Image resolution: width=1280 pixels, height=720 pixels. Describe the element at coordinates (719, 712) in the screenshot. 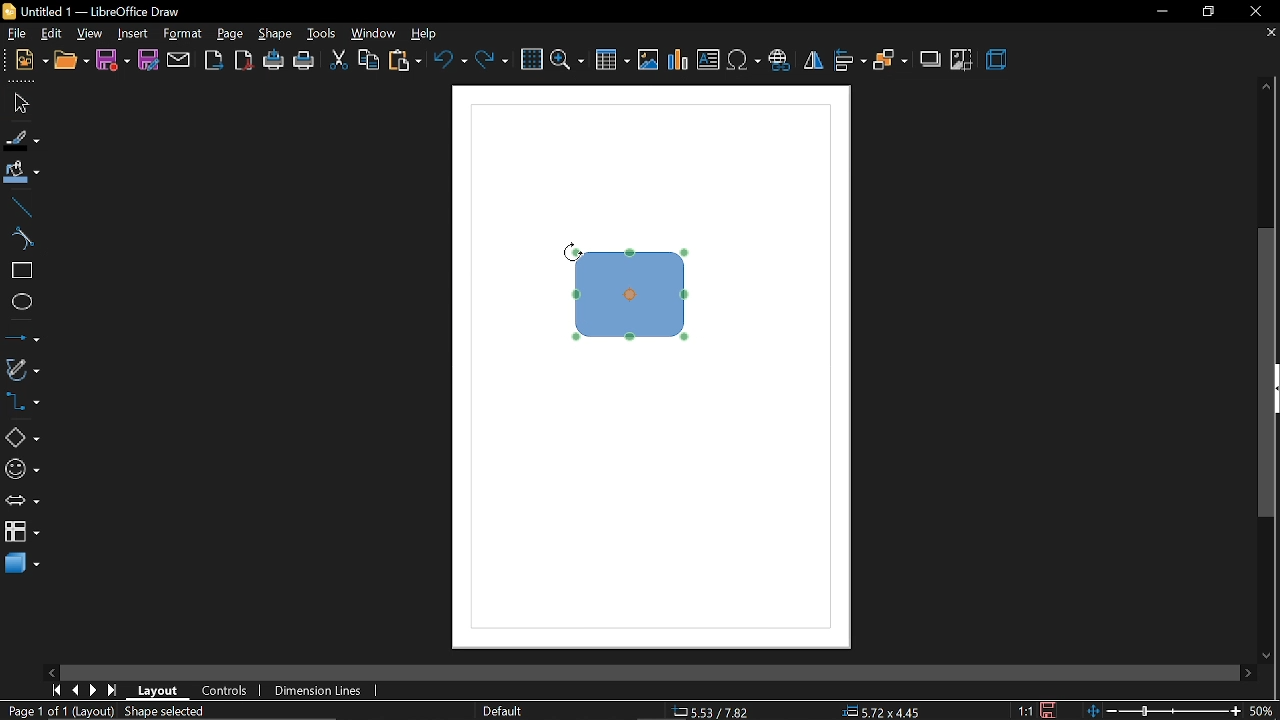

I see `5.53/7.82` at that location.